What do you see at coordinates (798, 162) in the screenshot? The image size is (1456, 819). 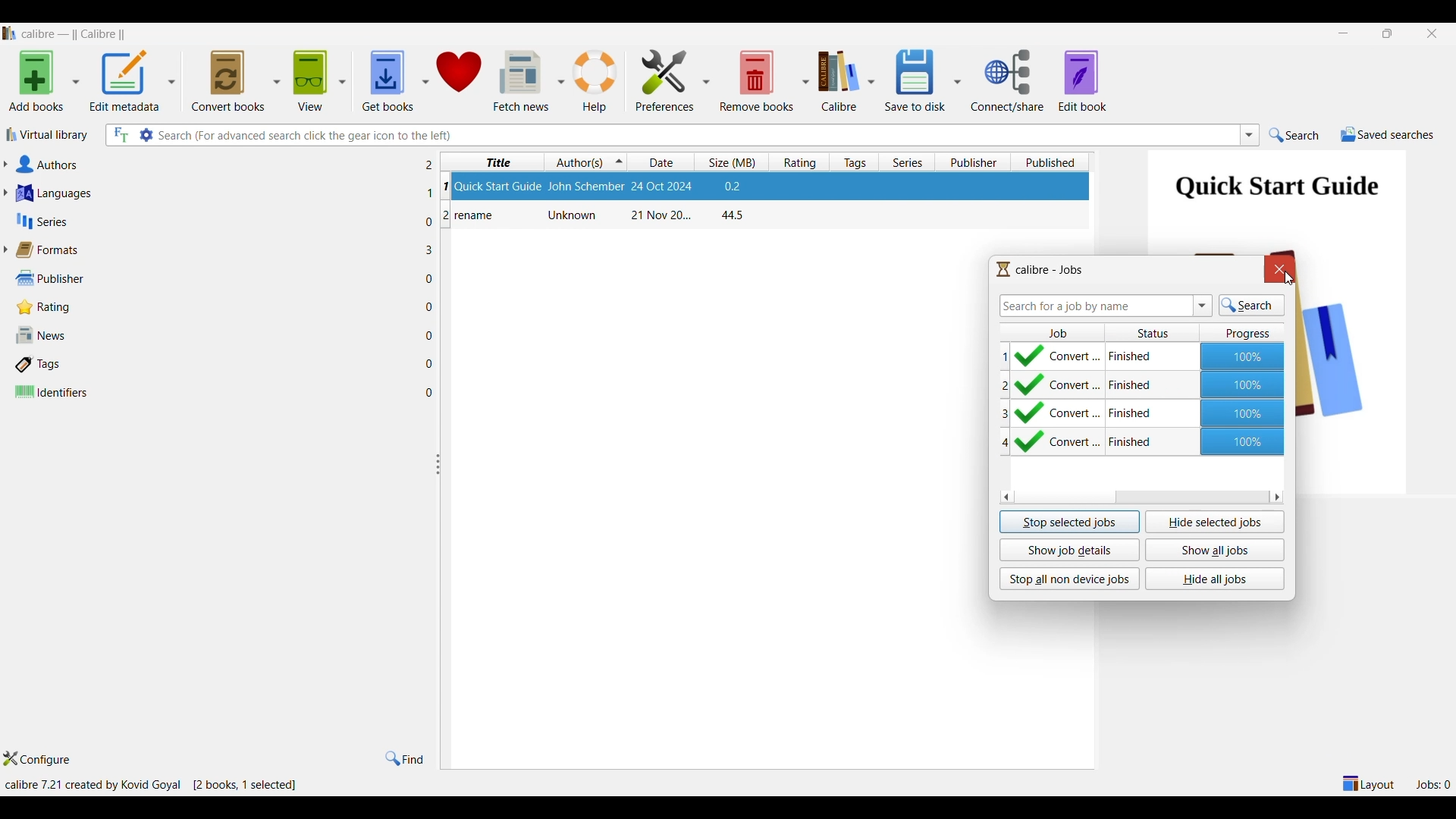 I see `Rating column` at bounding box center [798, 162].